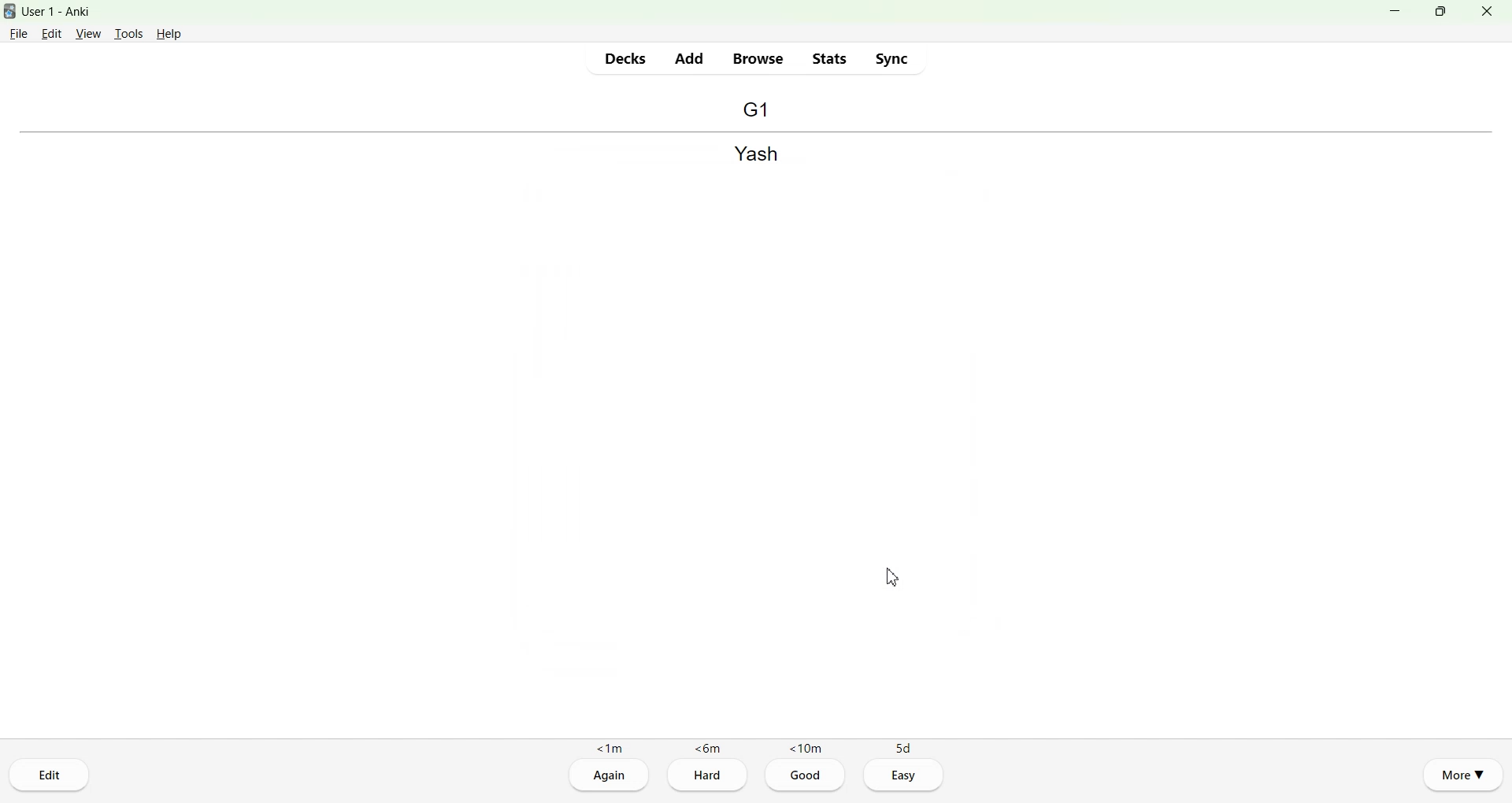 The height and width of the screenshot is (803, 1512). I want to click on Sync, so click(891, 58).